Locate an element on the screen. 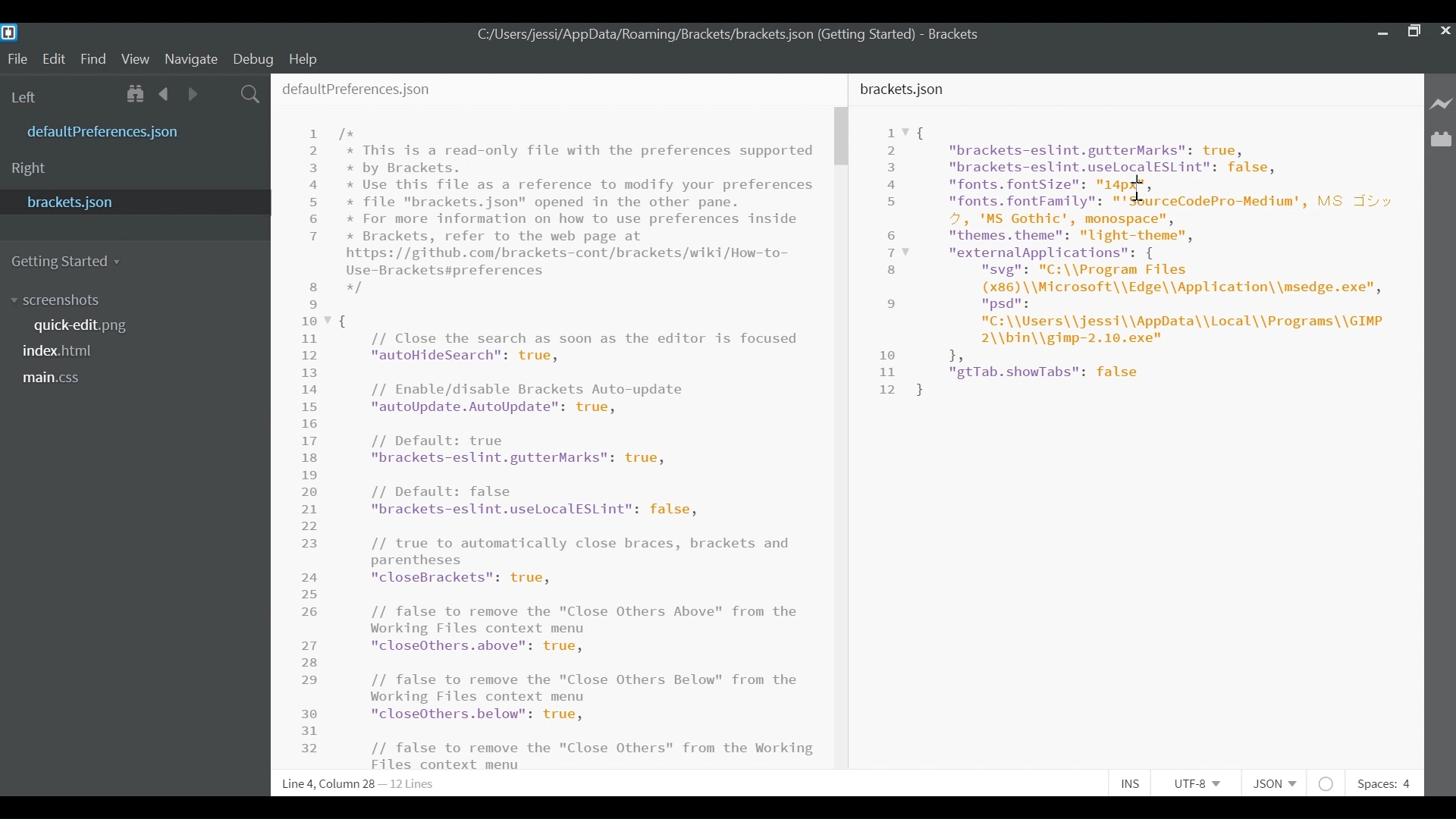  defaultPreferences.json is located at coordinates (356, 86).